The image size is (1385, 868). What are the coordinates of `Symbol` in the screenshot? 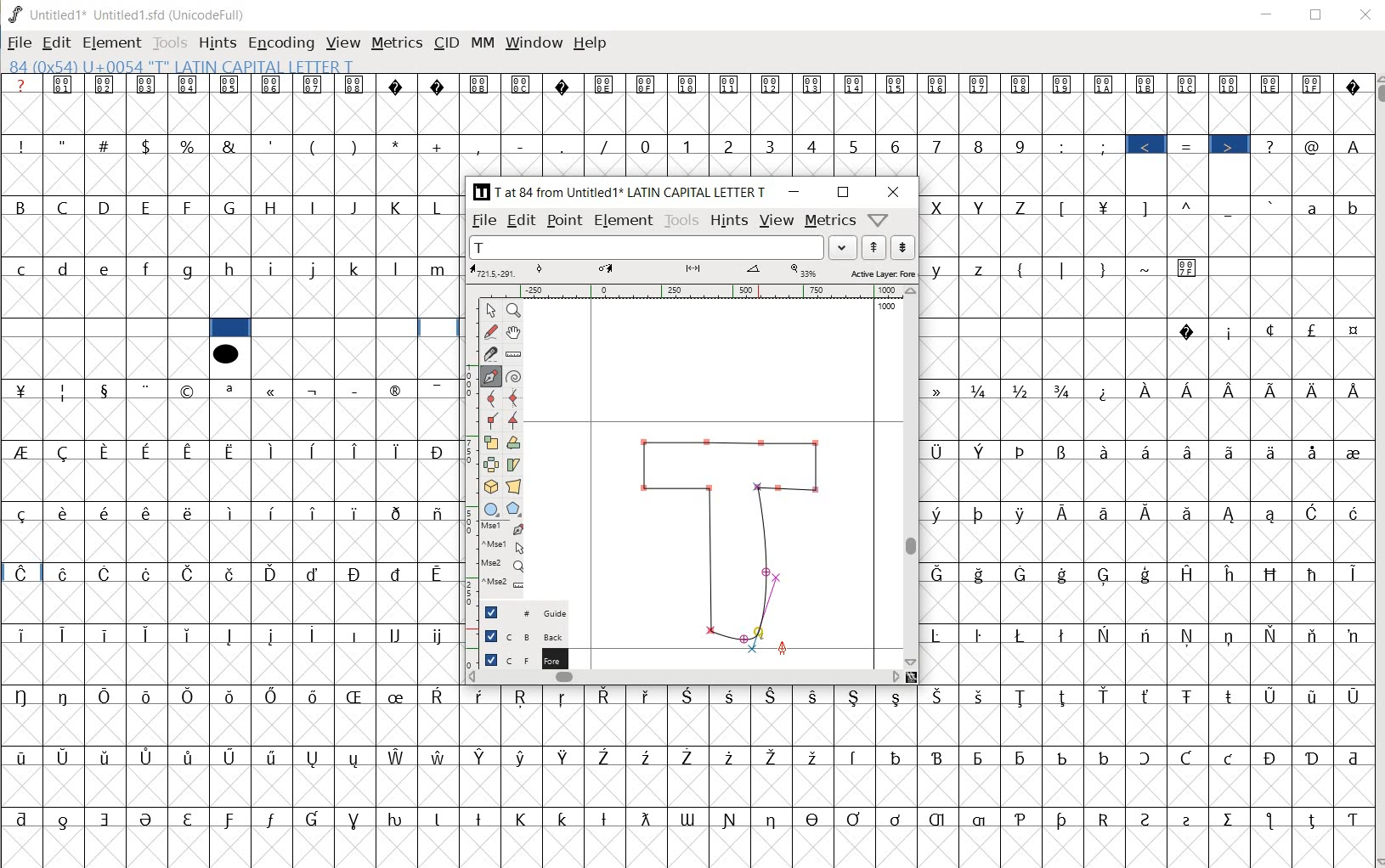 It's located at (1230, 694).